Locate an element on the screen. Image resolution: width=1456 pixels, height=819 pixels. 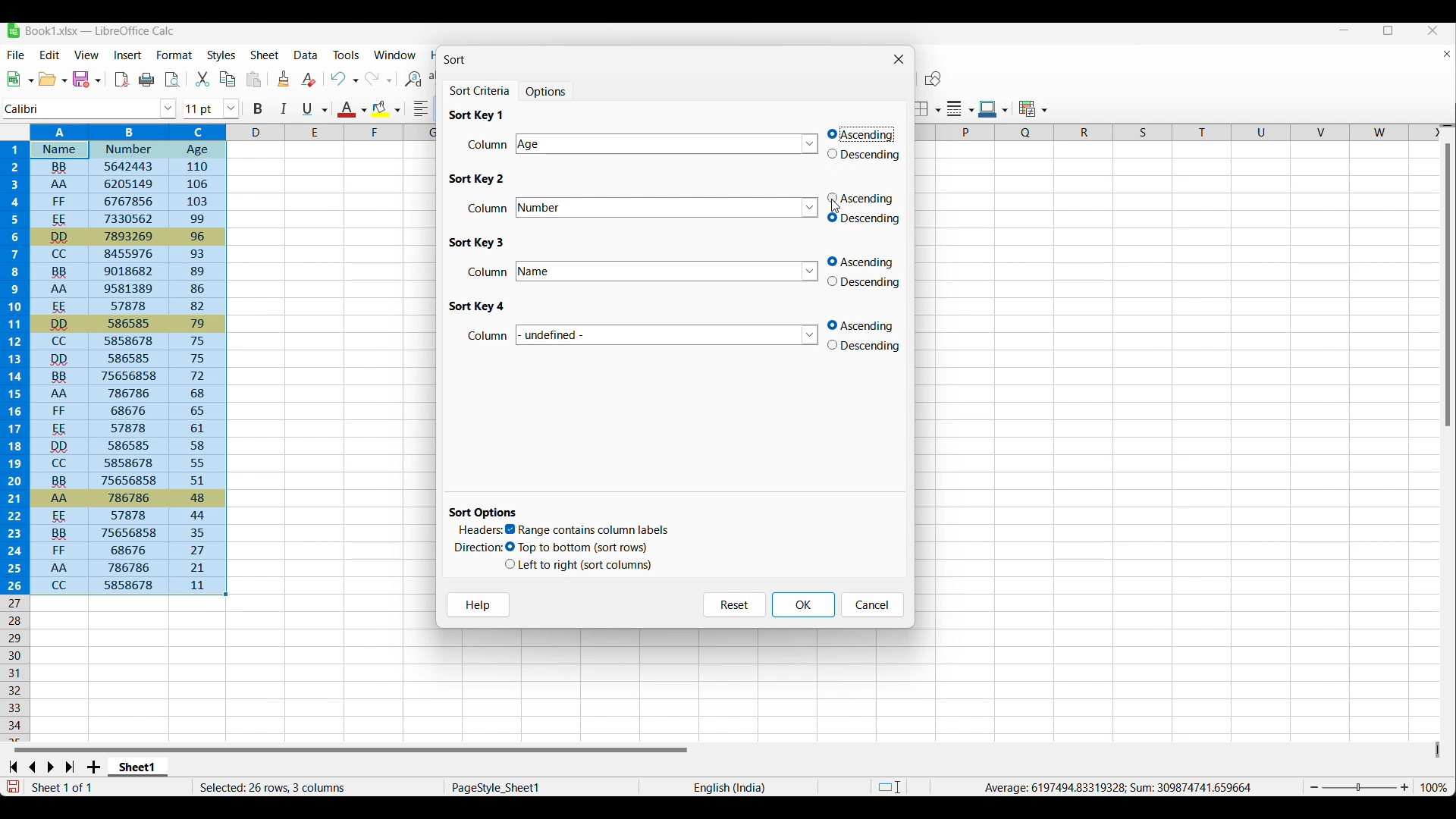
Project and software name is located at coordinates (100, 31).